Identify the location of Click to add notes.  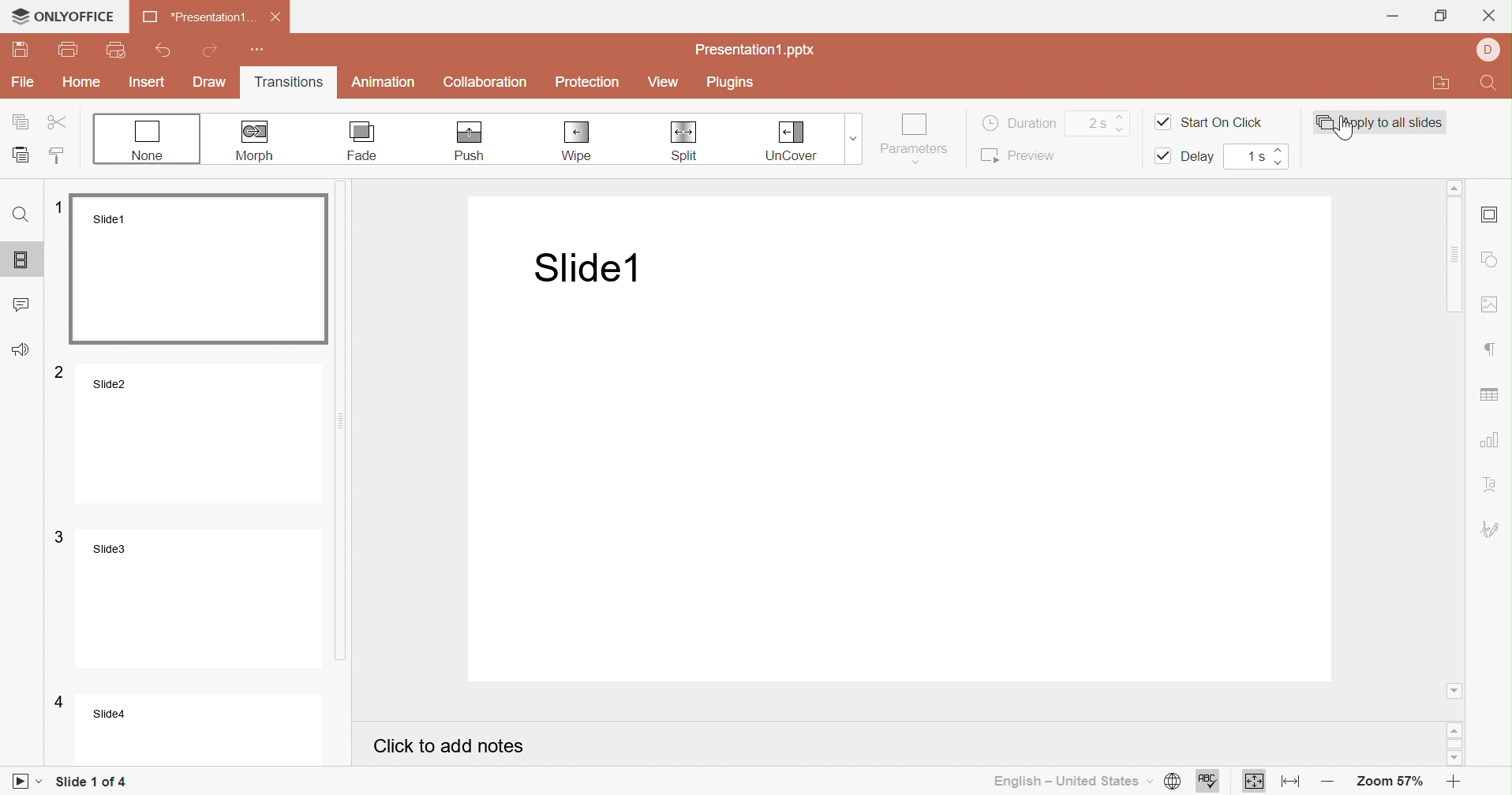
(450, 748).